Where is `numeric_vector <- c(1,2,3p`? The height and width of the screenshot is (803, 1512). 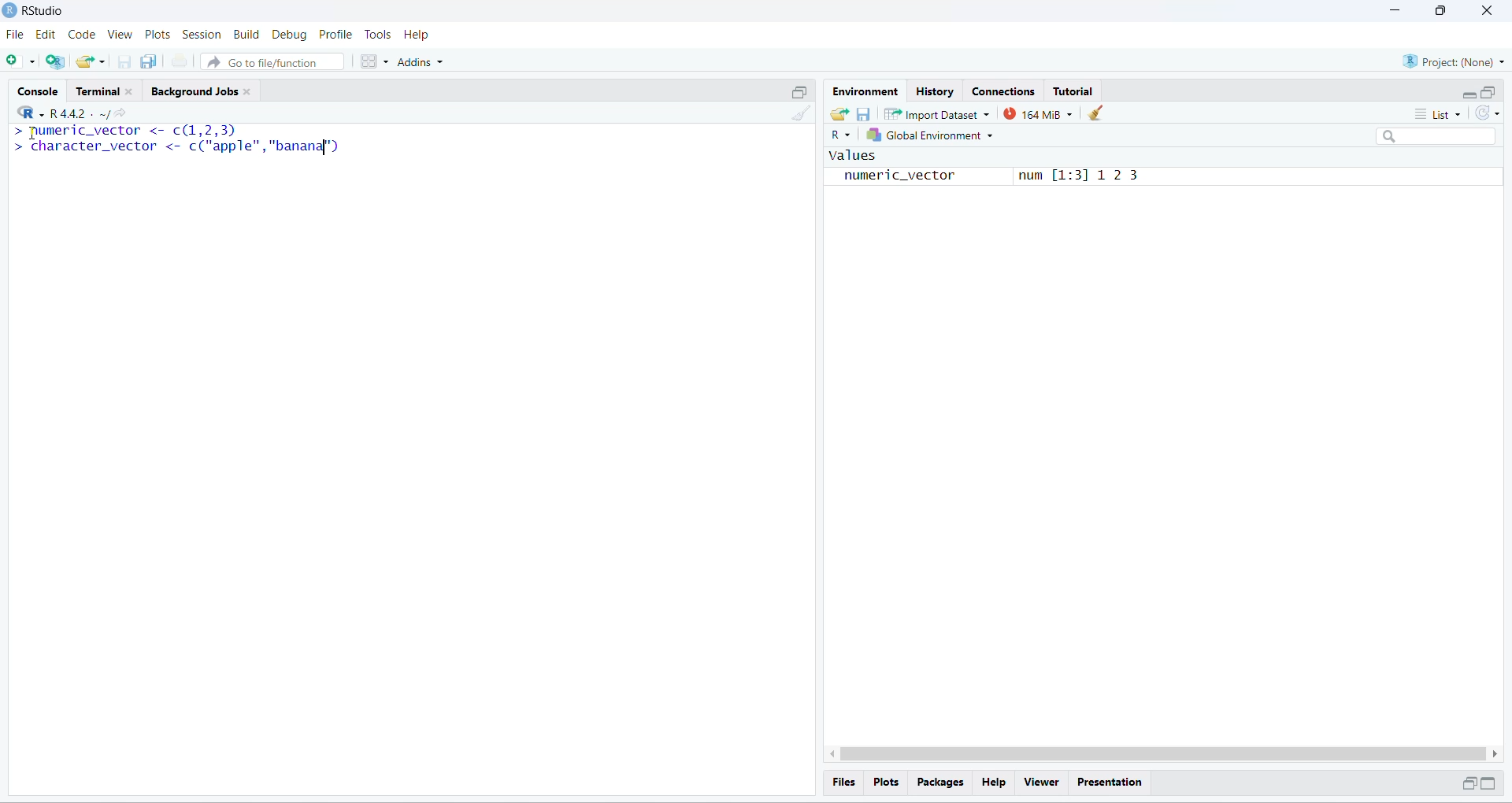
numeric_vector <- c(1,2,3p is located at coordinates (126, 131).